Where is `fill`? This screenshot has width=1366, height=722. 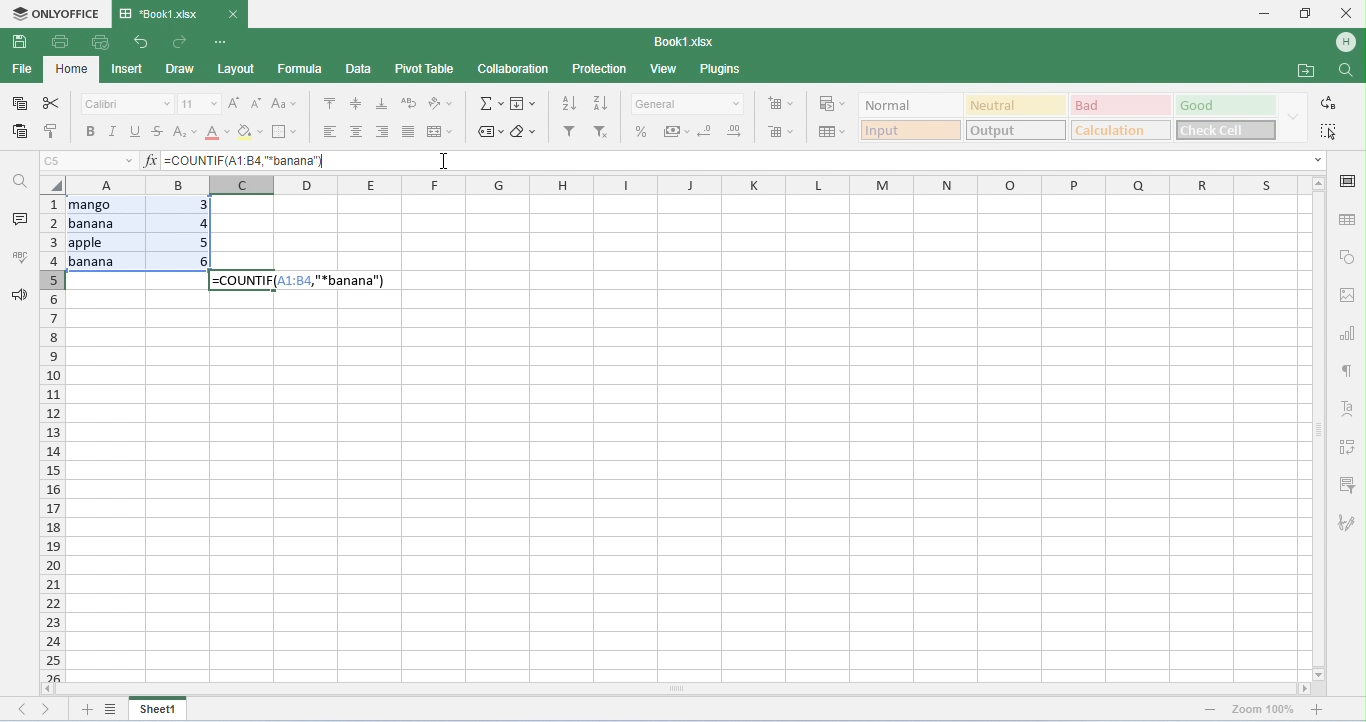 fill is located at coordinates (524, 105).